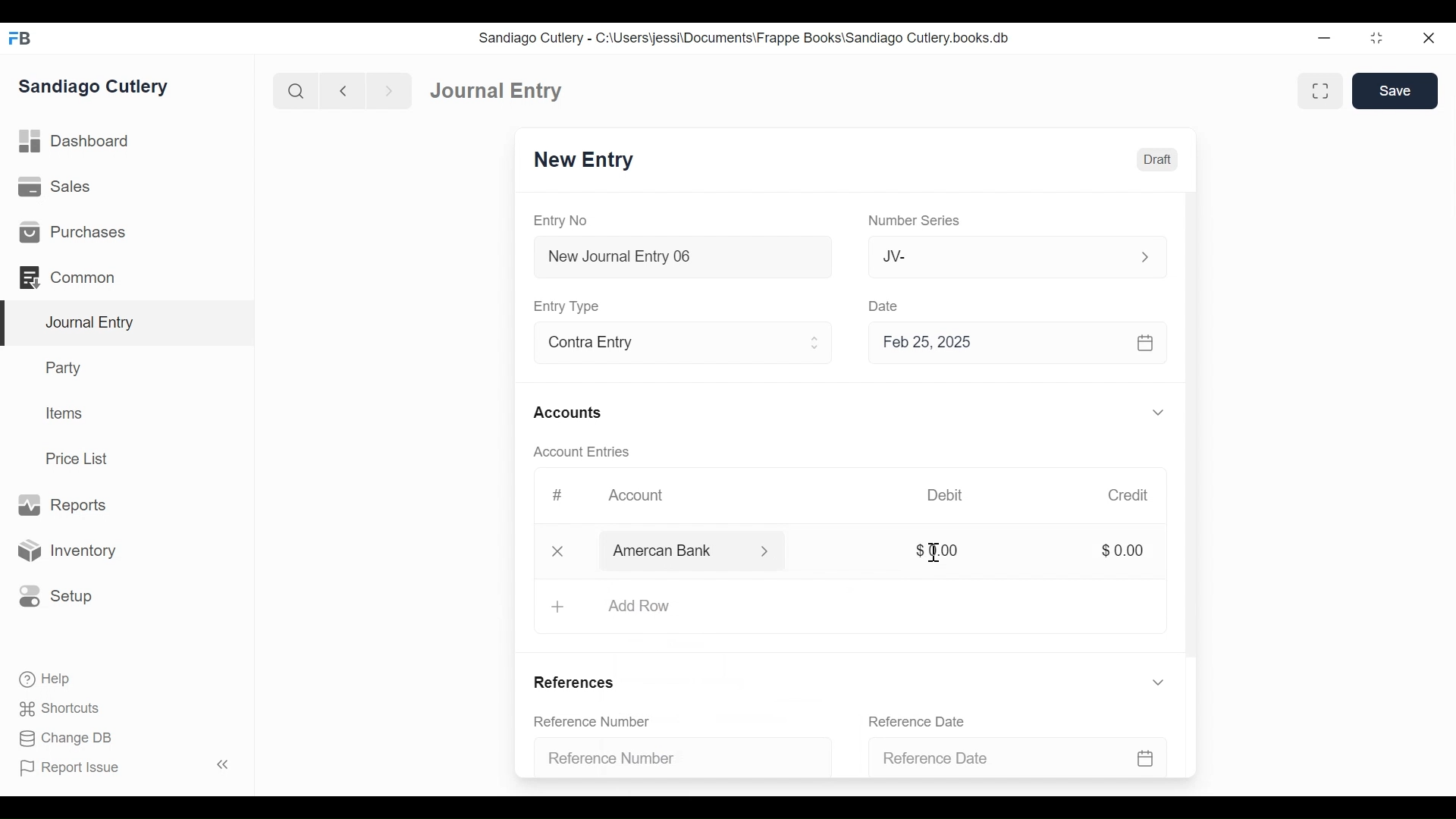 The height and width of the screenshot is (819, 1456). What do you see at coordinates (1157, 160) in the screenshot?
I see `Draft` at bounding box center [1157, 160].